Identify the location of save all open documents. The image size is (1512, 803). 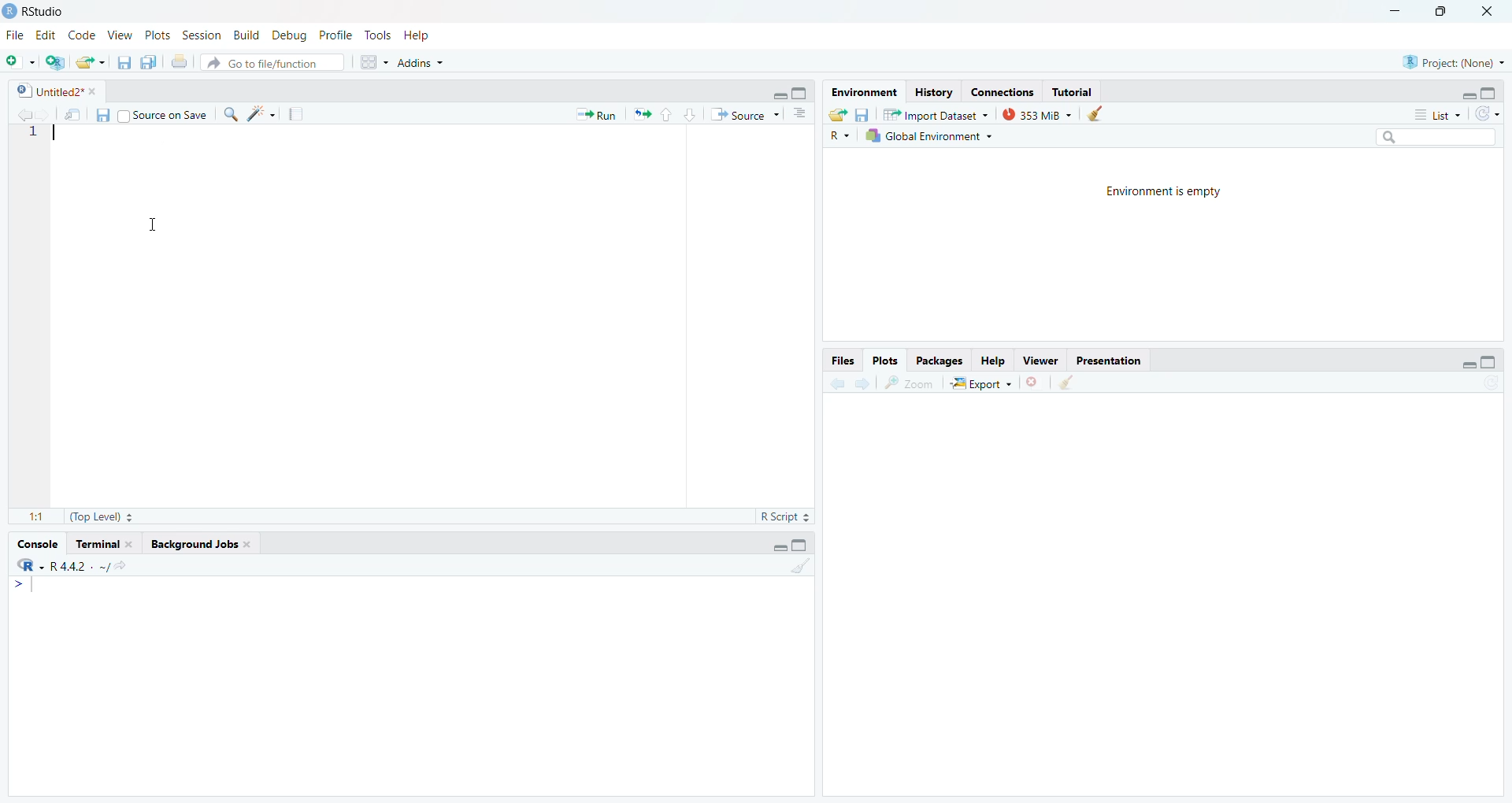
(148, 62).